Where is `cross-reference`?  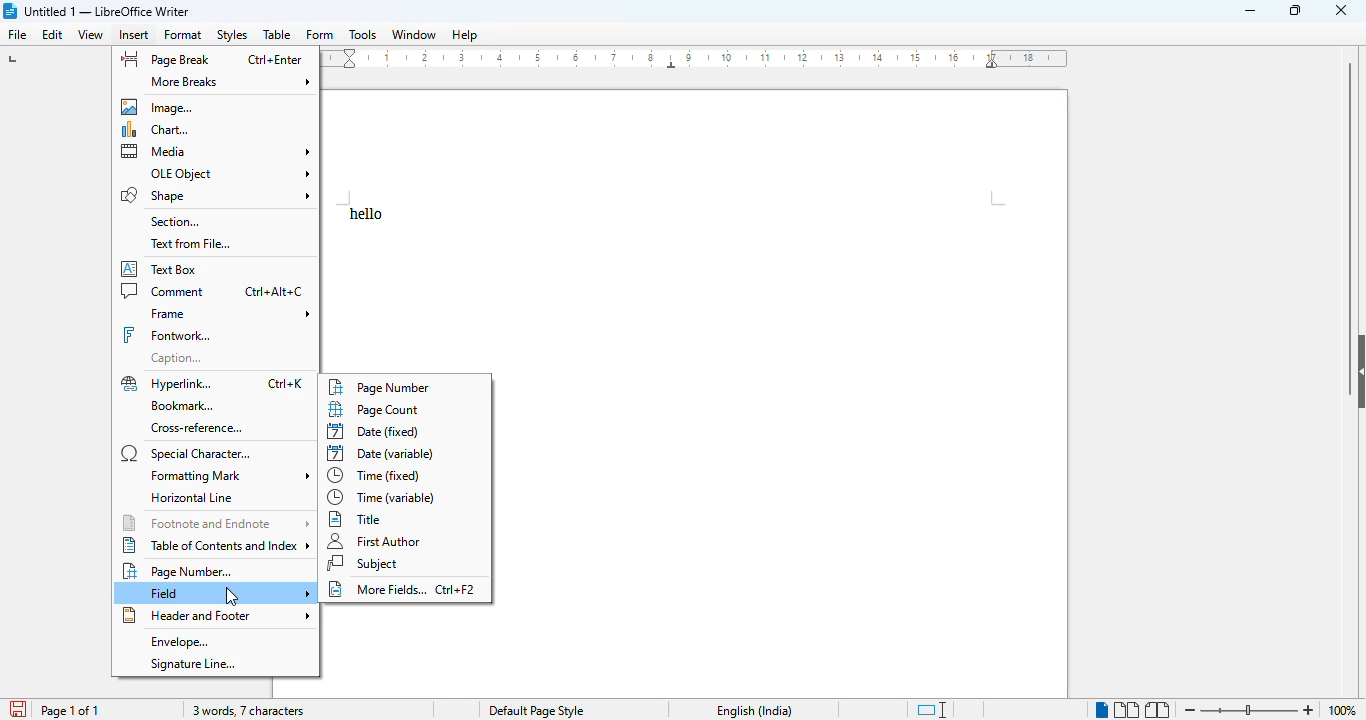 cross-reference is located at coordinates (197, 429).